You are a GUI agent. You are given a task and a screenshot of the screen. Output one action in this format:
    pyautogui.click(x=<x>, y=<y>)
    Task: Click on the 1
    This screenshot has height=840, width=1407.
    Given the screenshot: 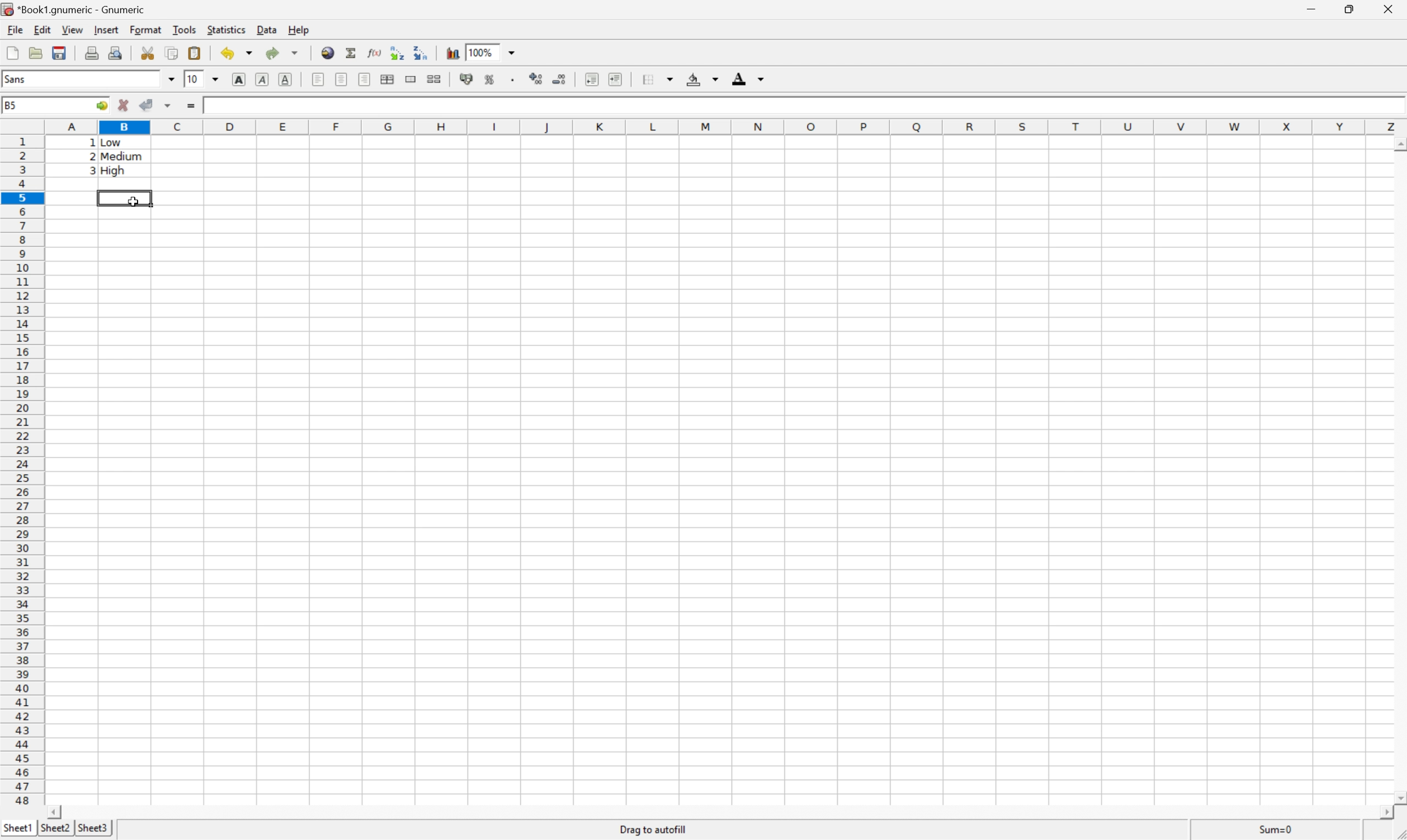 What is the action you would take?
    pyautogui.click(x=208, y=106)
    